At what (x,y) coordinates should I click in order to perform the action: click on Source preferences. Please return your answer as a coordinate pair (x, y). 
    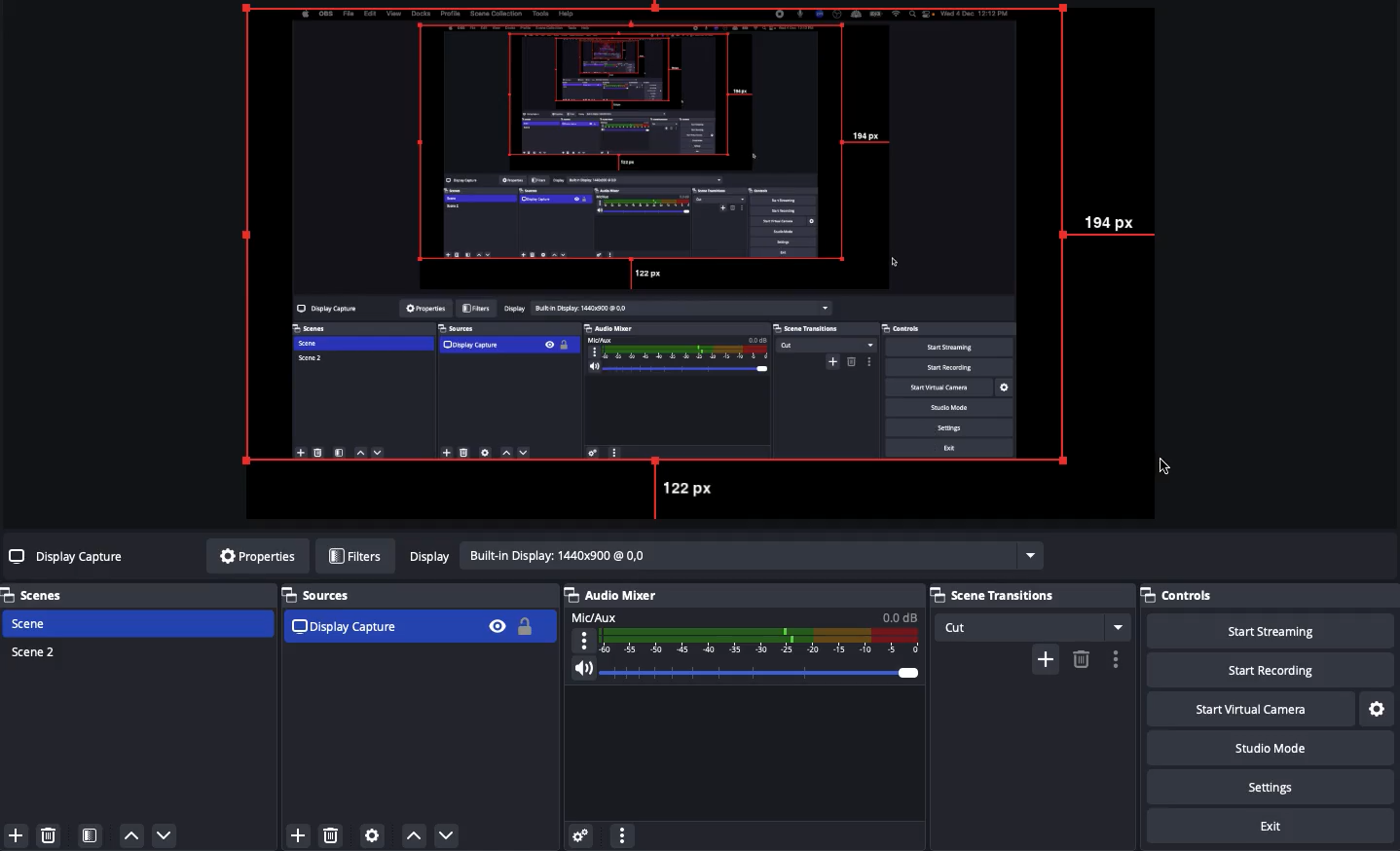
    Looking at the image, I should click on (375, 835).